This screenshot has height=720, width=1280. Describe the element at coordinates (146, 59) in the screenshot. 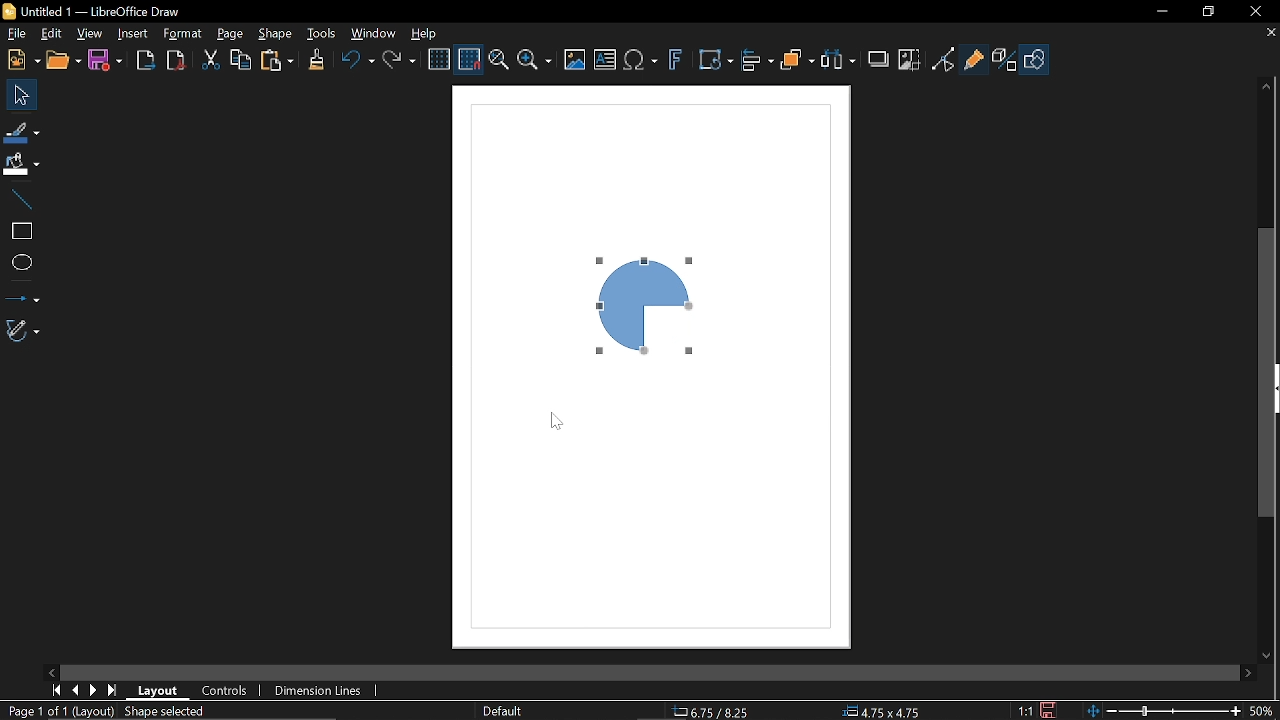

I see `Export` at that location.